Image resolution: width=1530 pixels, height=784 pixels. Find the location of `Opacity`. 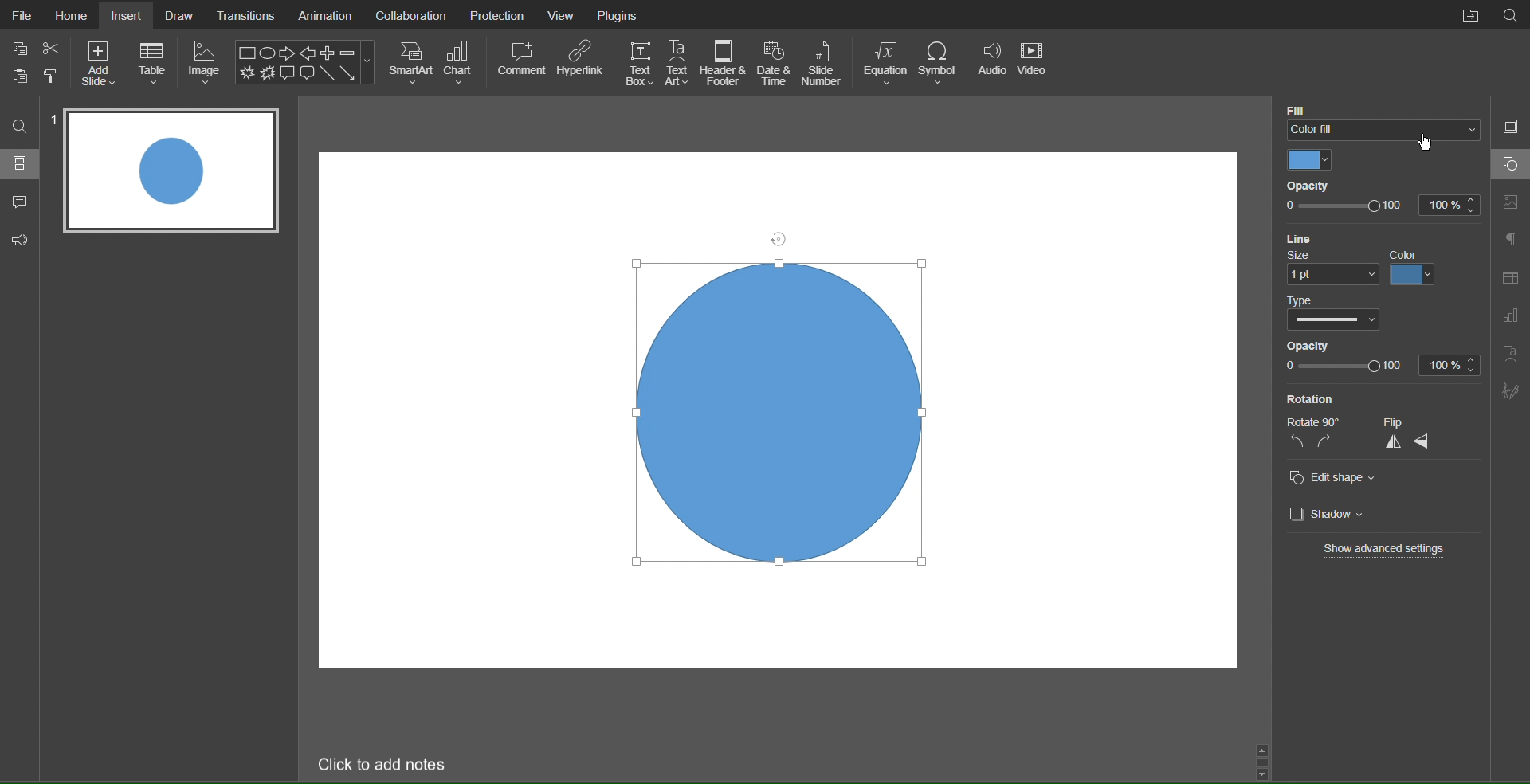

Opacity is located at coordinates (1309, 187).